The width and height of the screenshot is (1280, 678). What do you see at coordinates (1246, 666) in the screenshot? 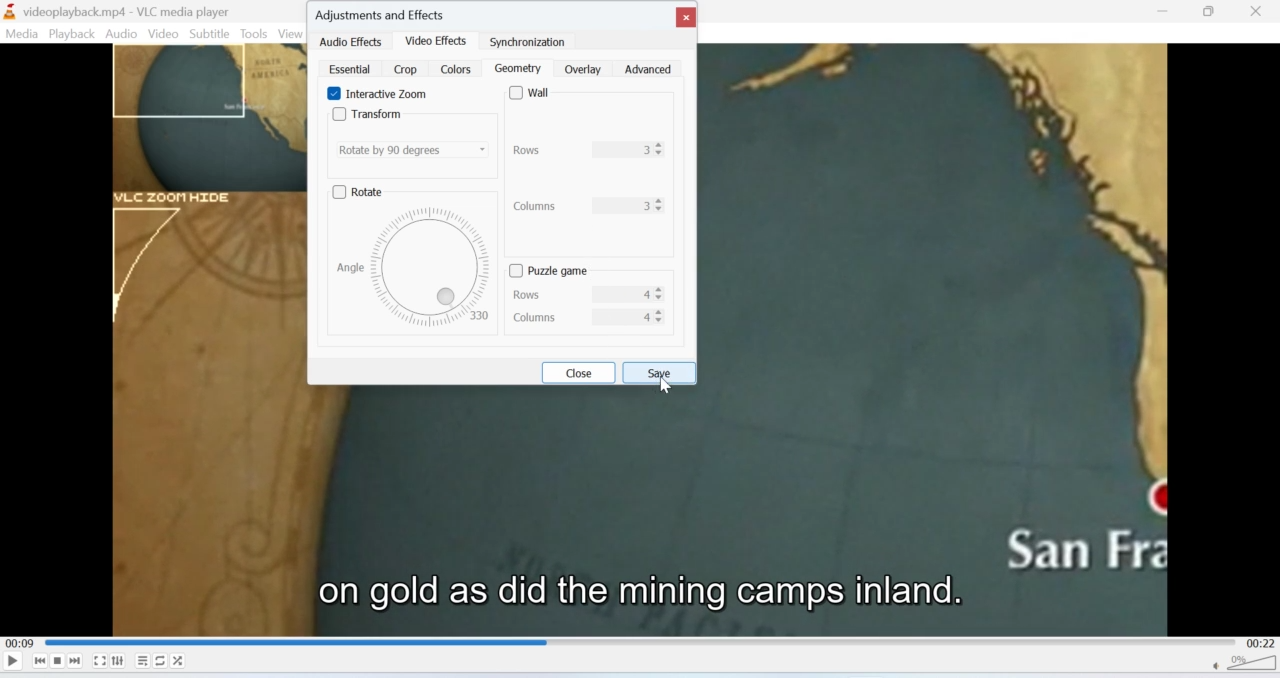
I see `Volume` at bounding box center [1246, 666].